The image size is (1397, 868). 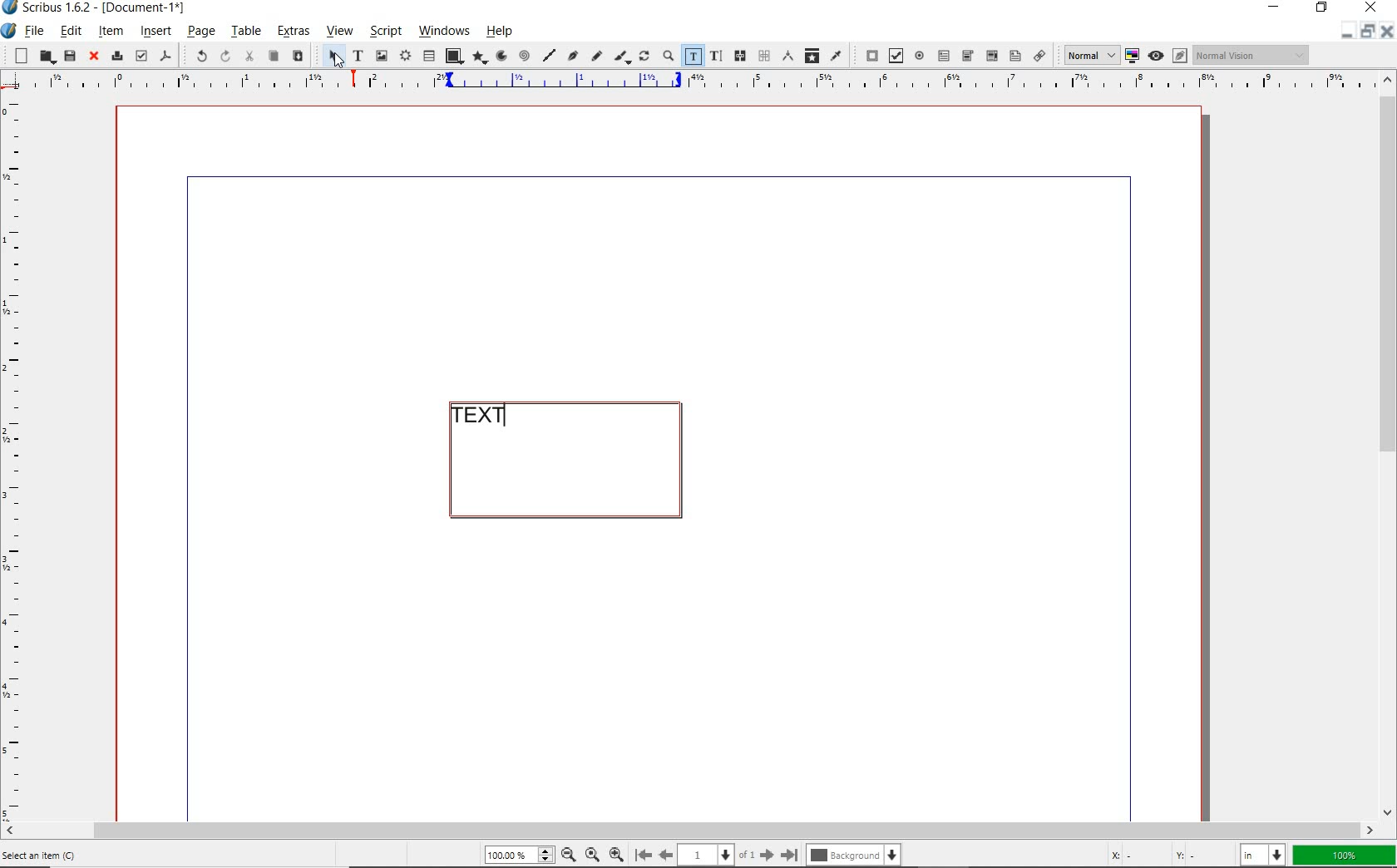 I want to click on select item, so click(x=332, y=56).